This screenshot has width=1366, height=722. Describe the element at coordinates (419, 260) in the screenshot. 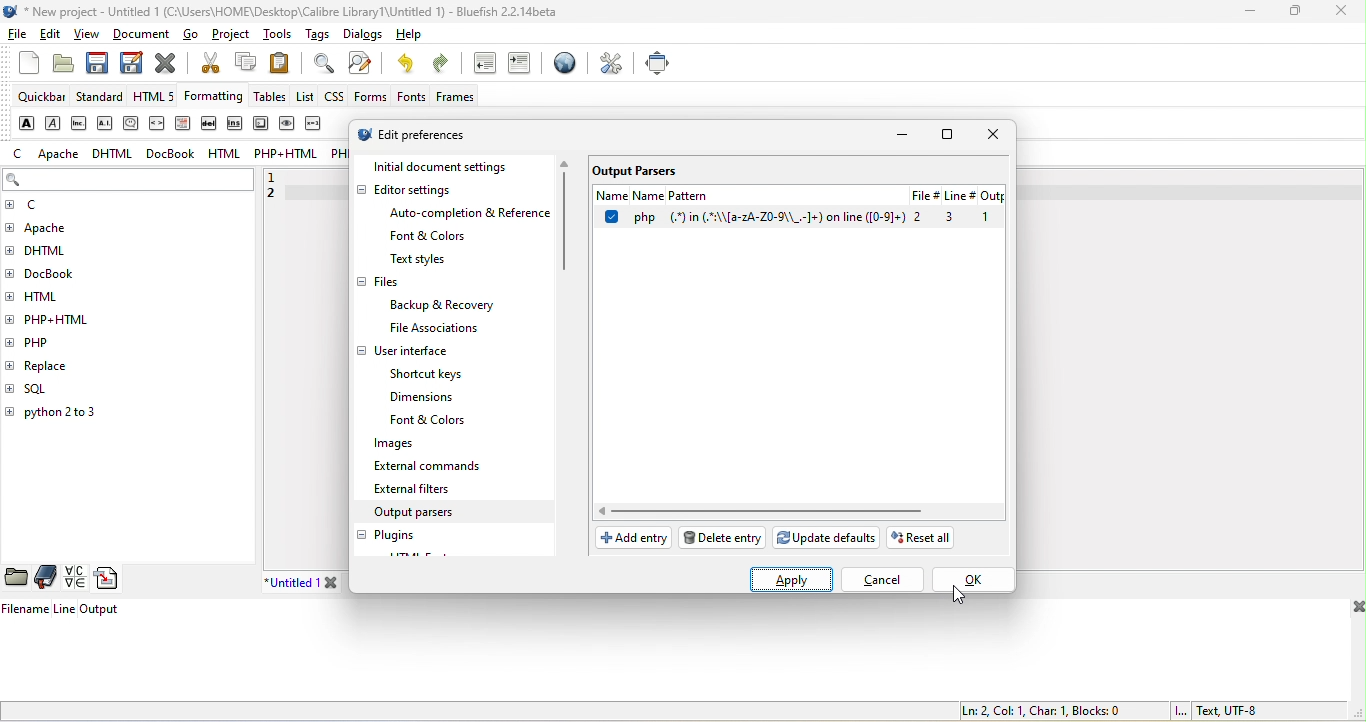

I see `text style` at that location.